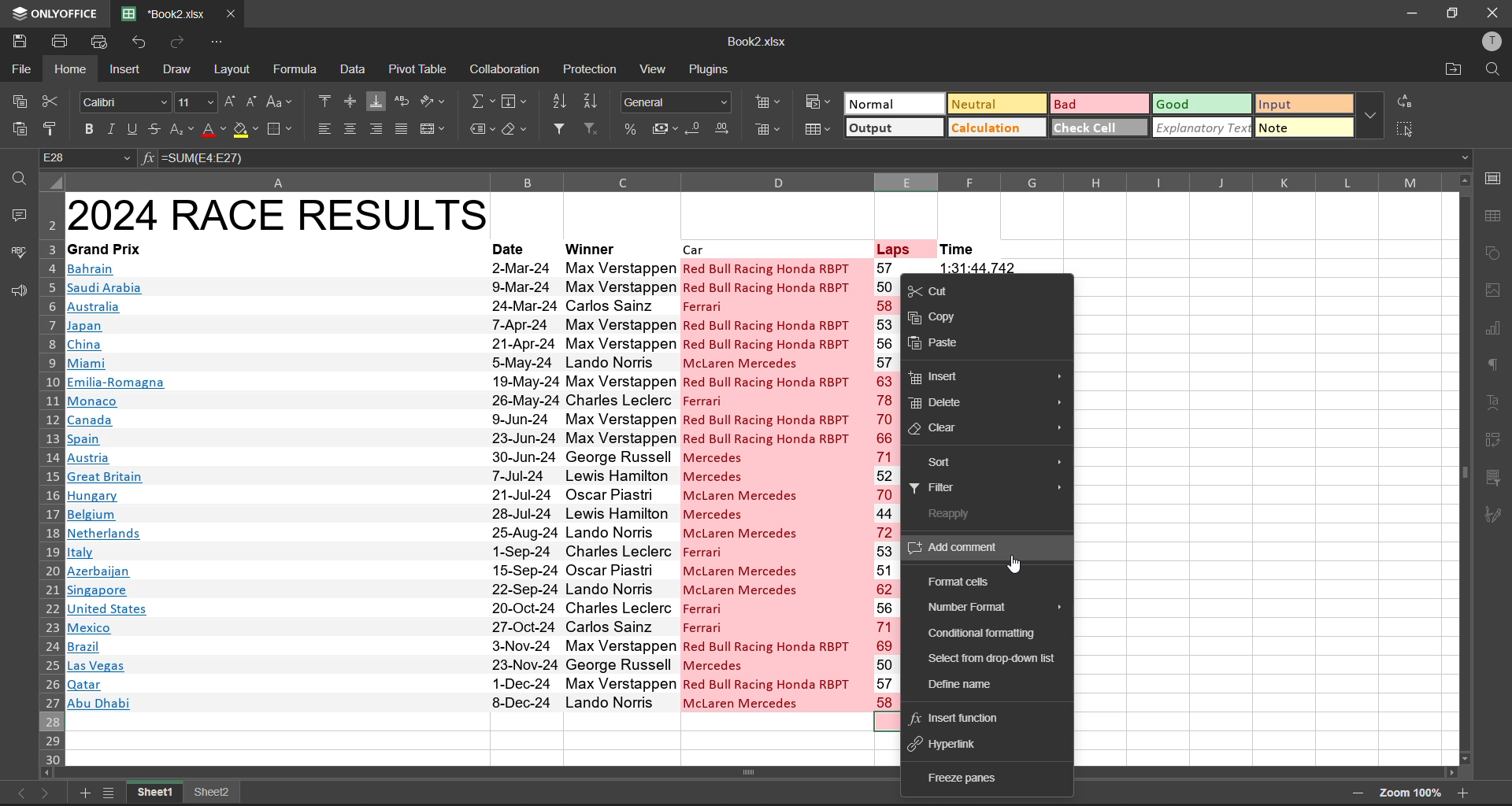  Describe the element at coordinates (20, 41) in the screenshot. I see `save` at that location.